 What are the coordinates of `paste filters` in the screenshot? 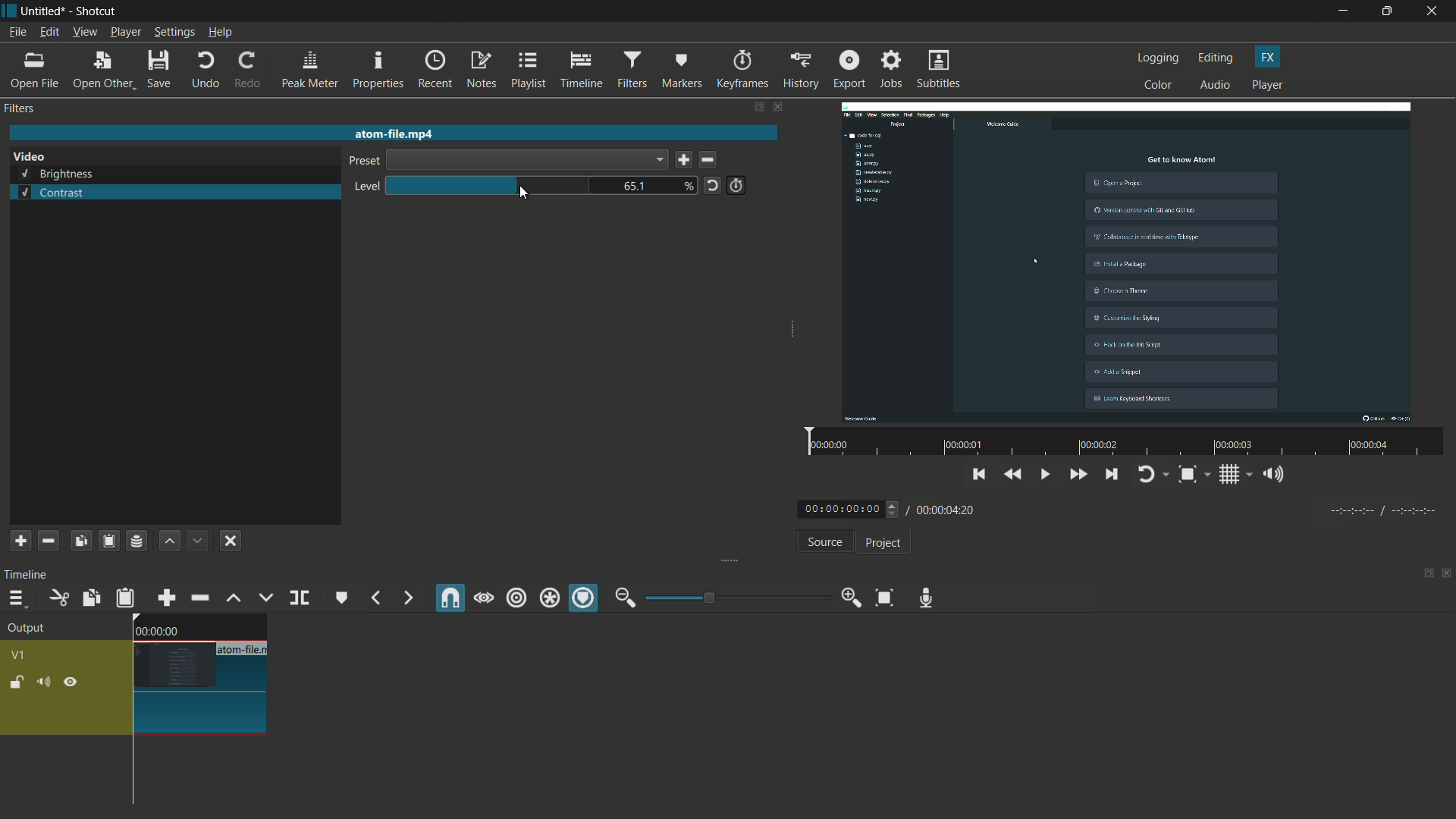 It's located at (108, 541).